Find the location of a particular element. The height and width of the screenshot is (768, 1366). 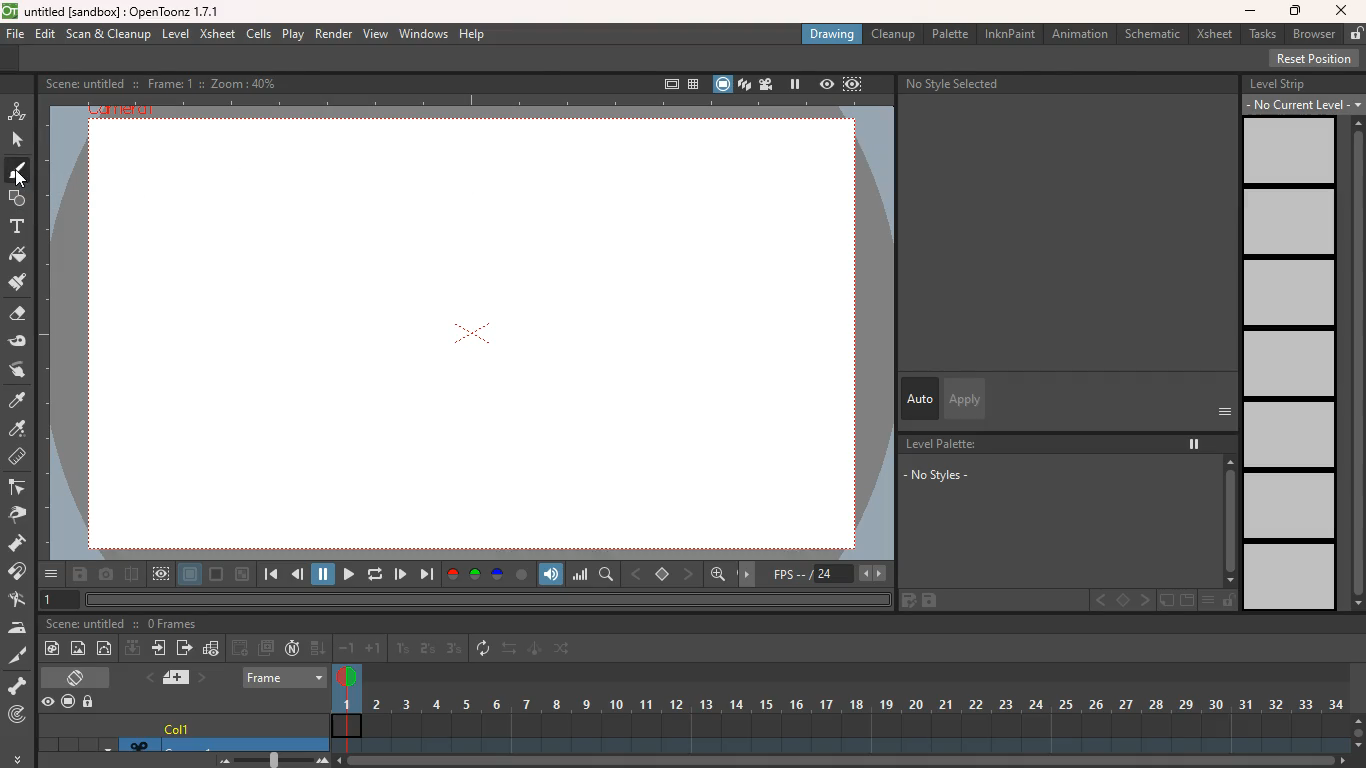

pause is located at coordinates (1192, 439).